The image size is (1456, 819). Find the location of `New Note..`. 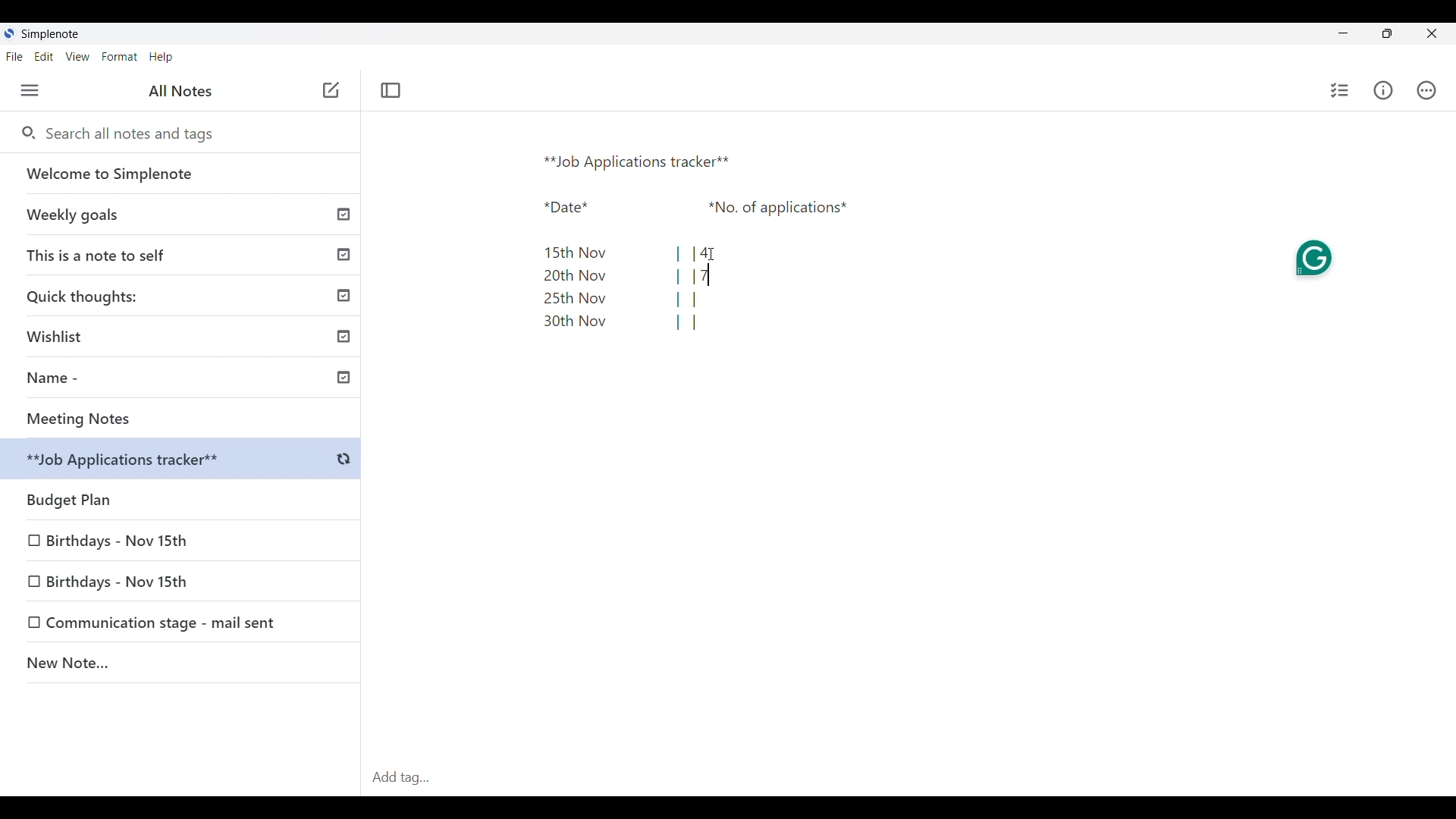

New Note.. is located at coordinates (181, 665).